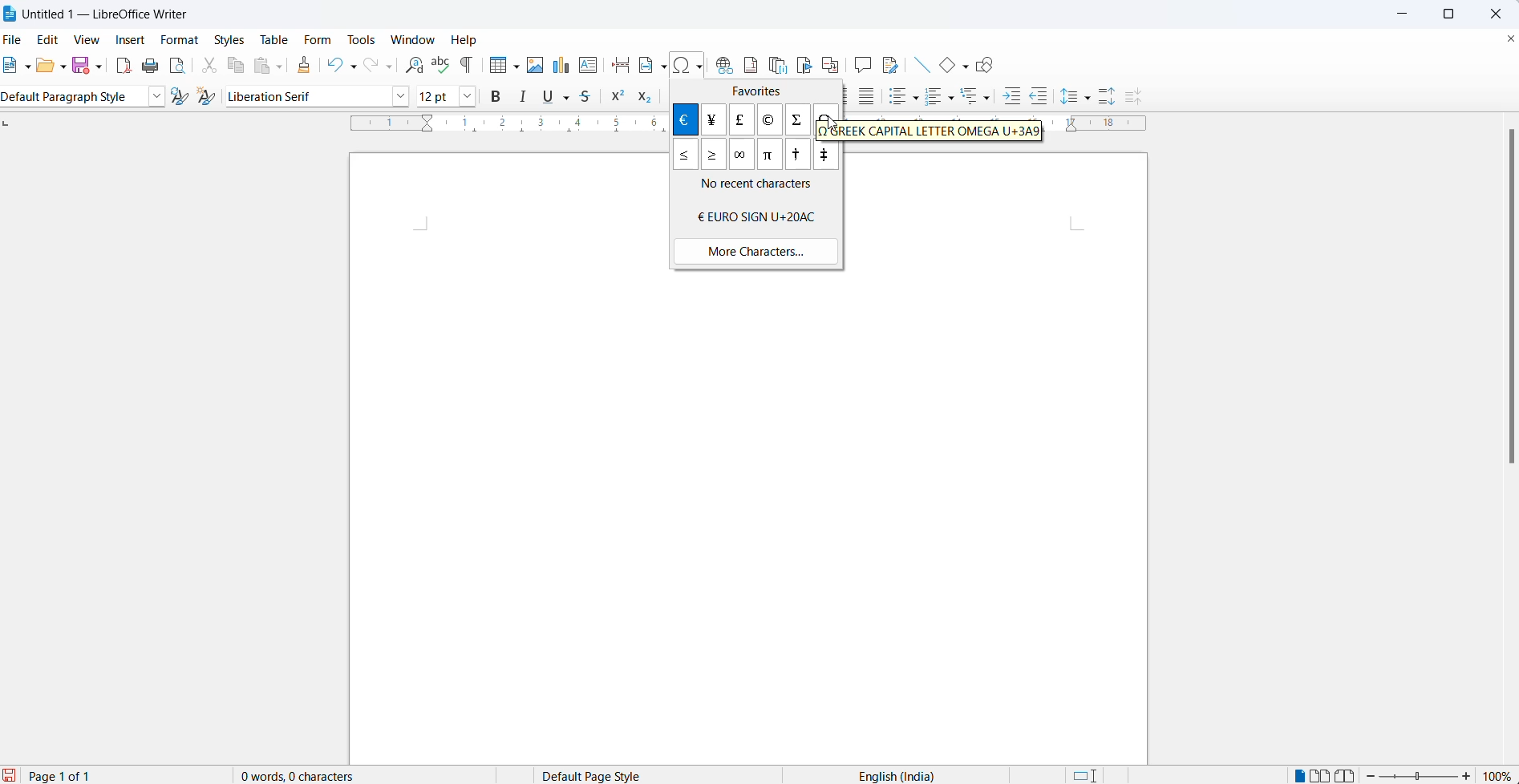  What do you see at coordinates (687, 64) in the screenshot?
I see `insert special characters` at bounding box center [687, 64].